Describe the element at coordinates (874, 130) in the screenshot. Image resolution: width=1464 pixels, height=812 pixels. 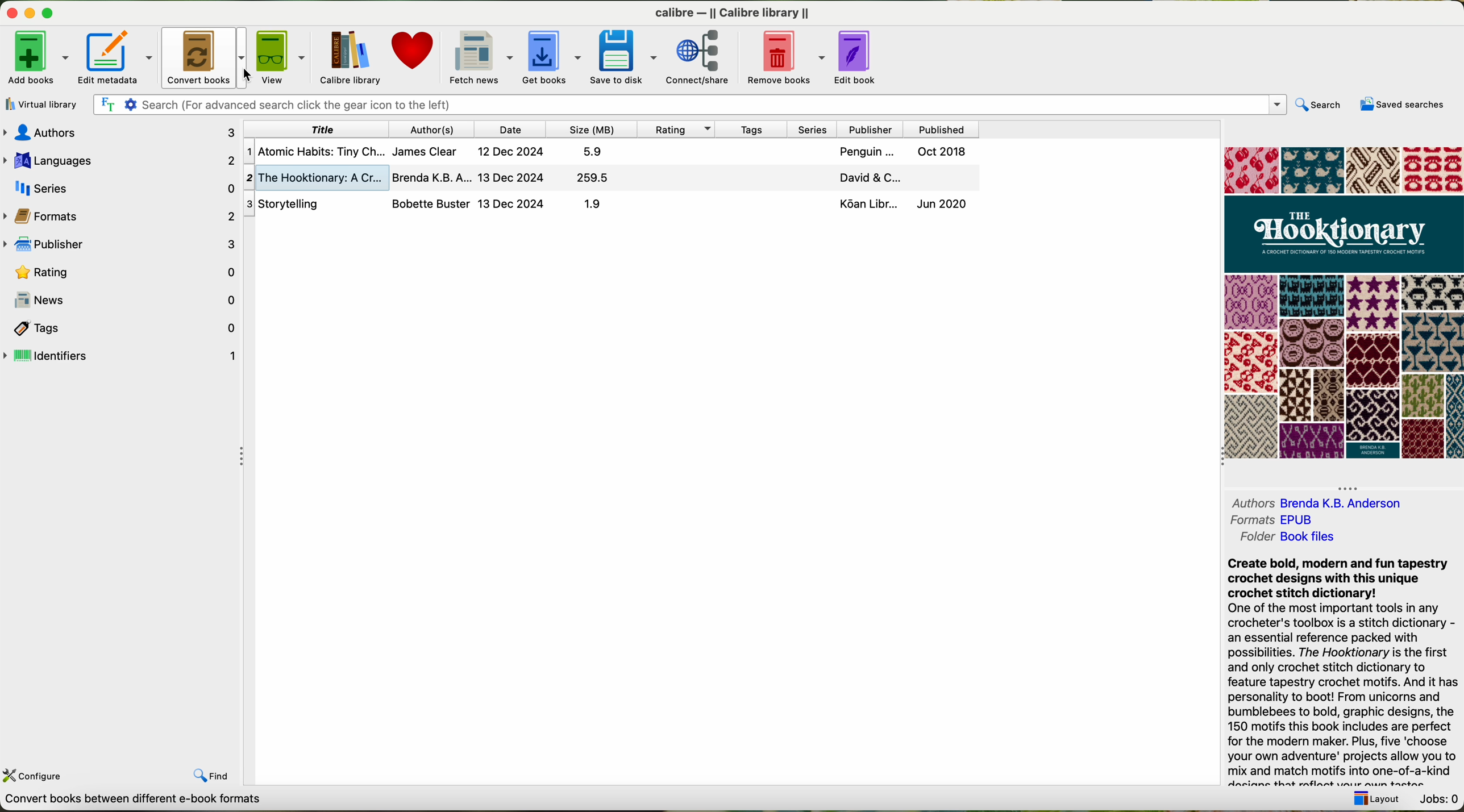
I see `publisher` at that location.